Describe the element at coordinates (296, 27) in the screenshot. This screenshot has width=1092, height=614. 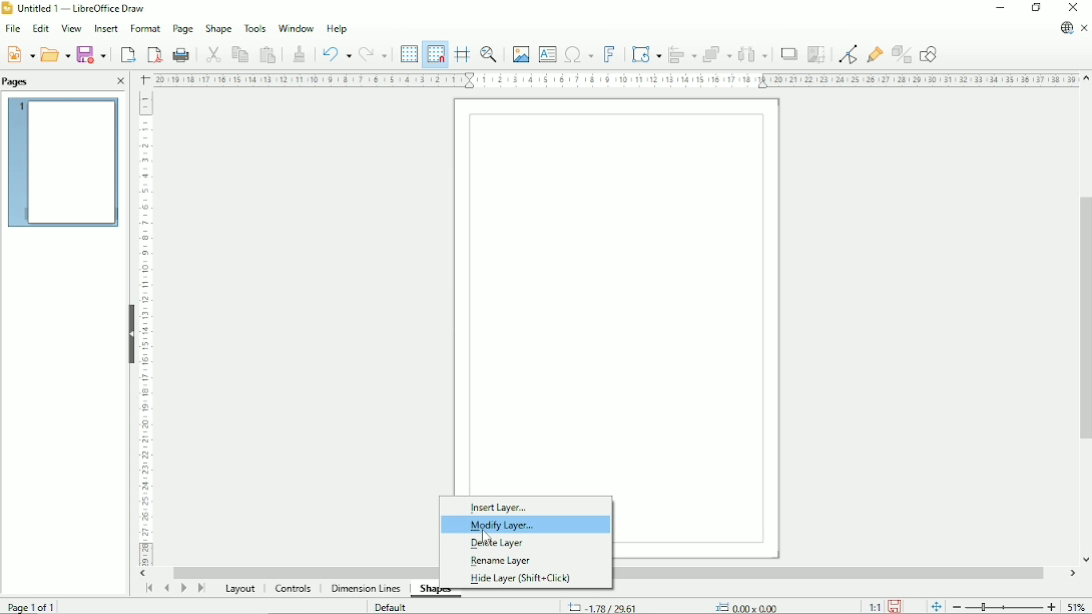
I see `Window` at that location.